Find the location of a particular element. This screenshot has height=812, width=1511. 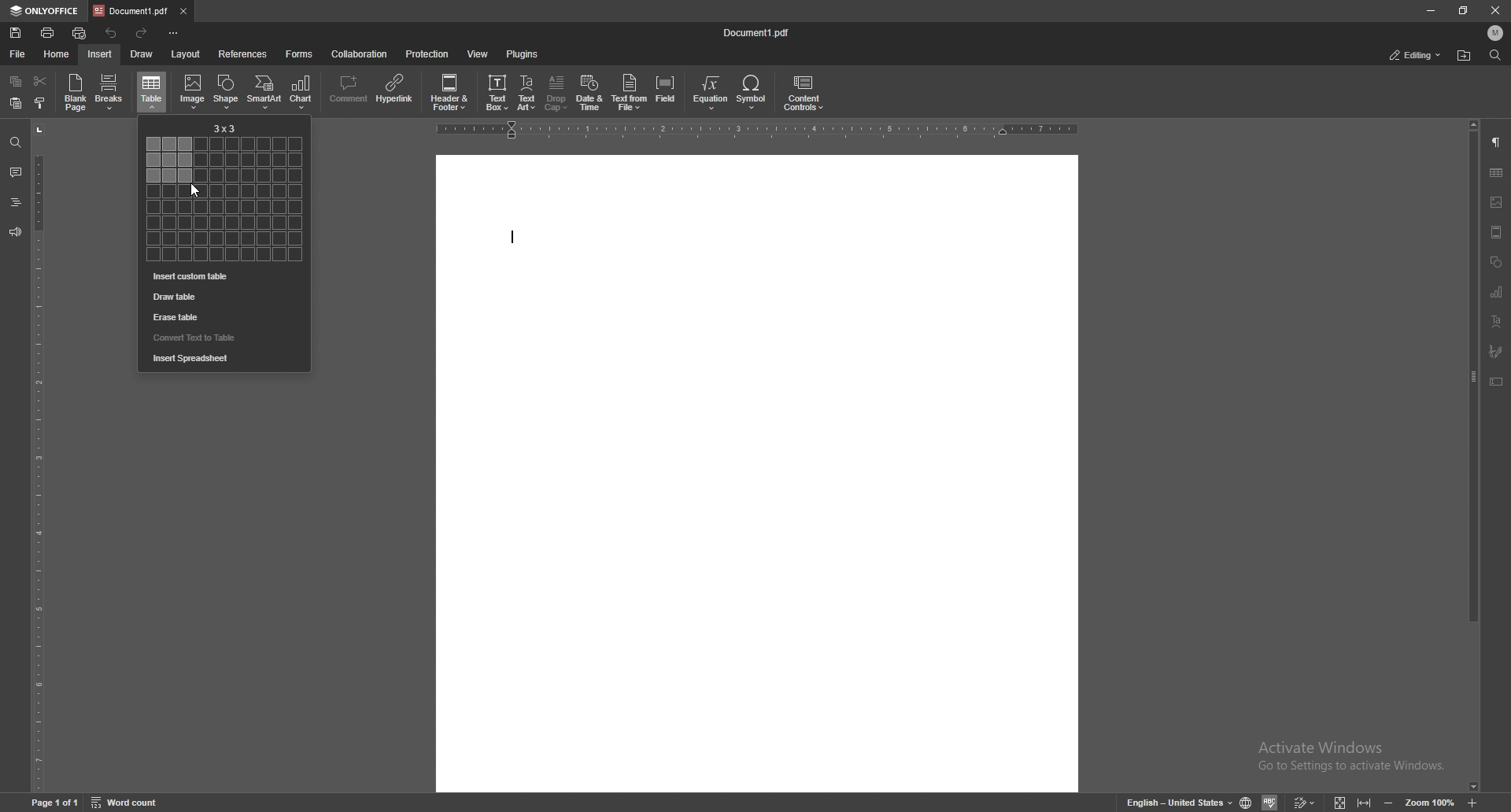

cut is located at coordinates (39, 80).